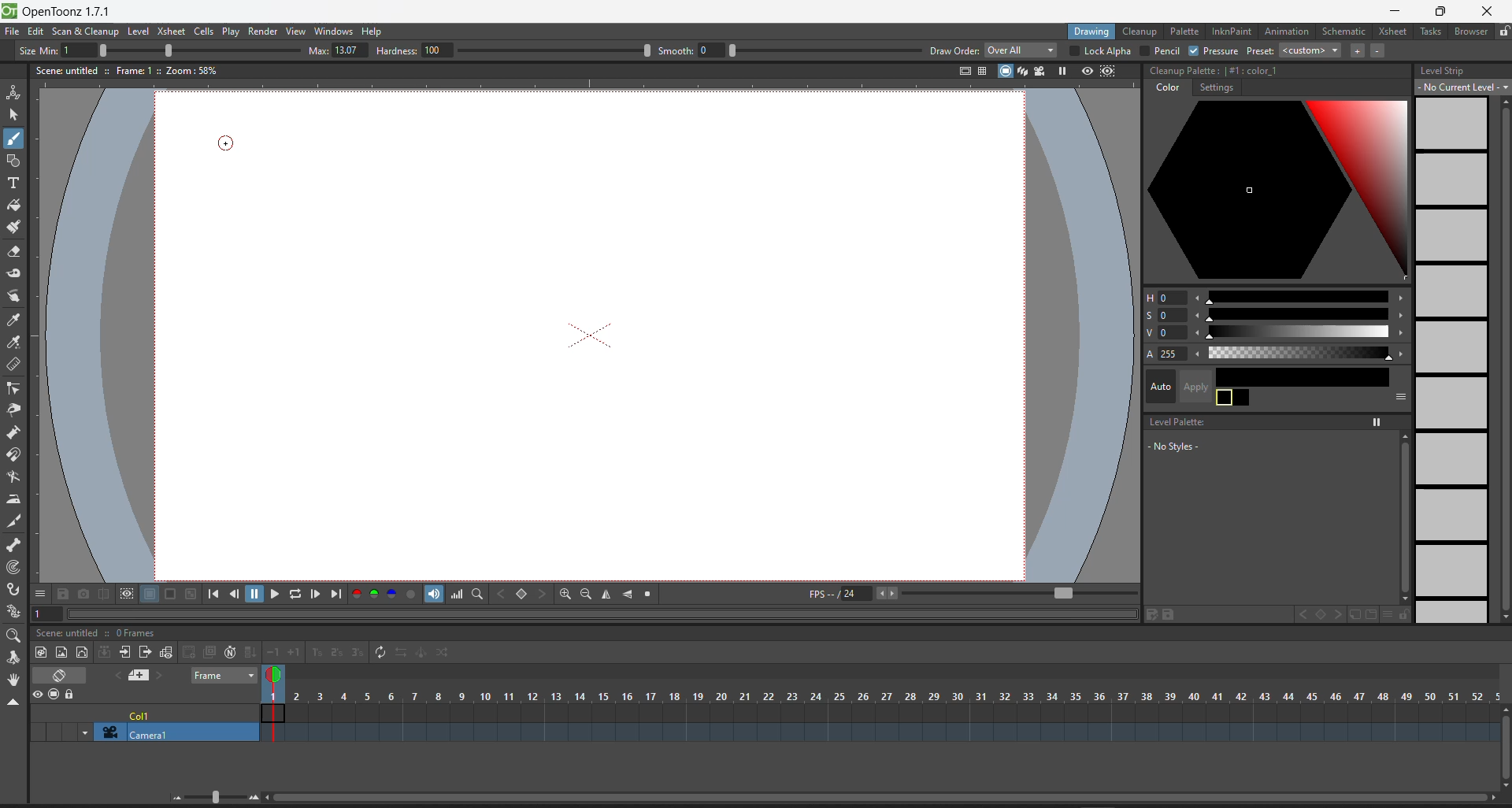 This screenshot has height=808, width=1512. Describe the element at coordinates (1199, 332) in the screenshot. I see `move left` at that location.